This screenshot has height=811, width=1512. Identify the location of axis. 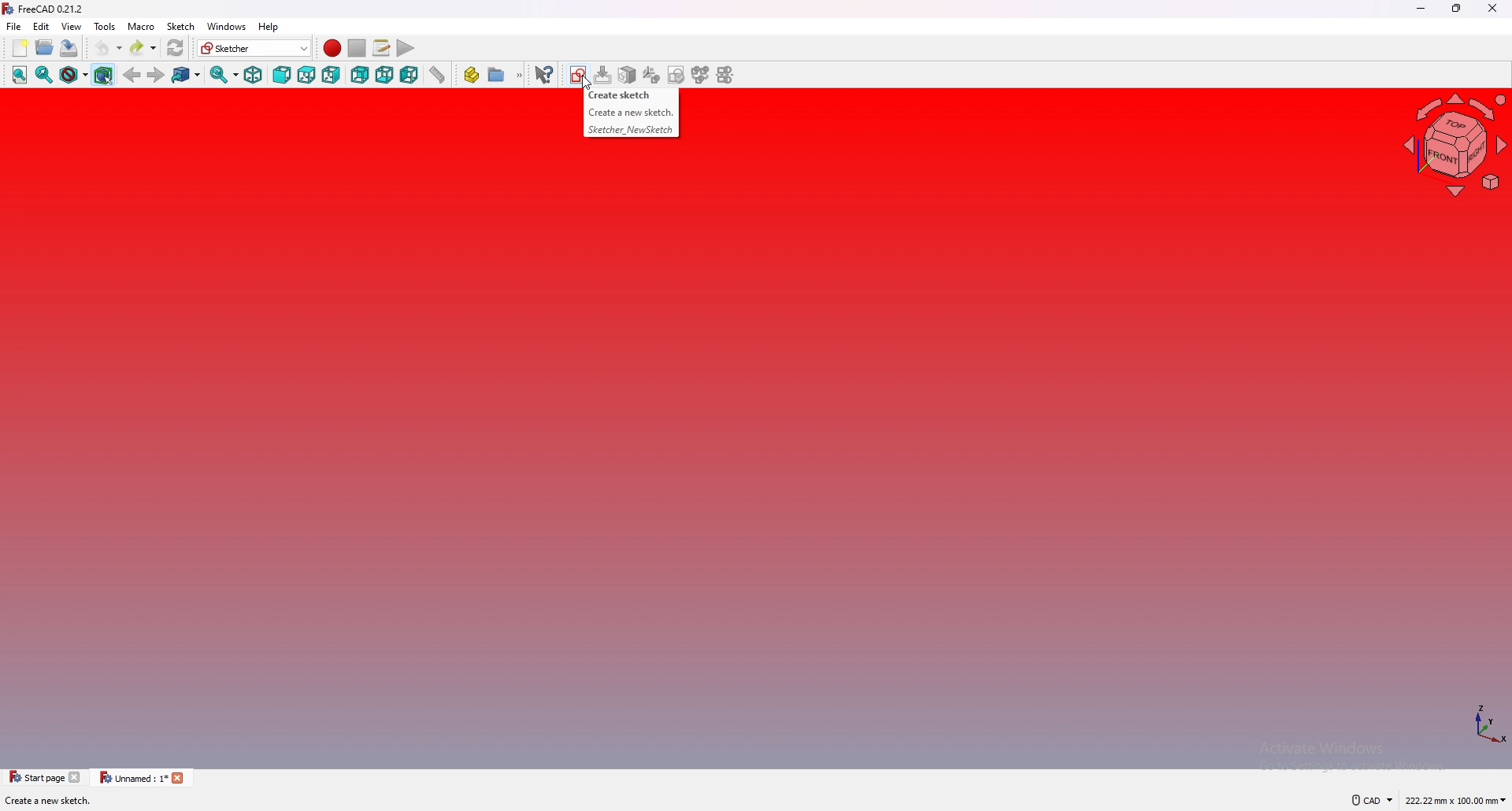
(1488, 724).